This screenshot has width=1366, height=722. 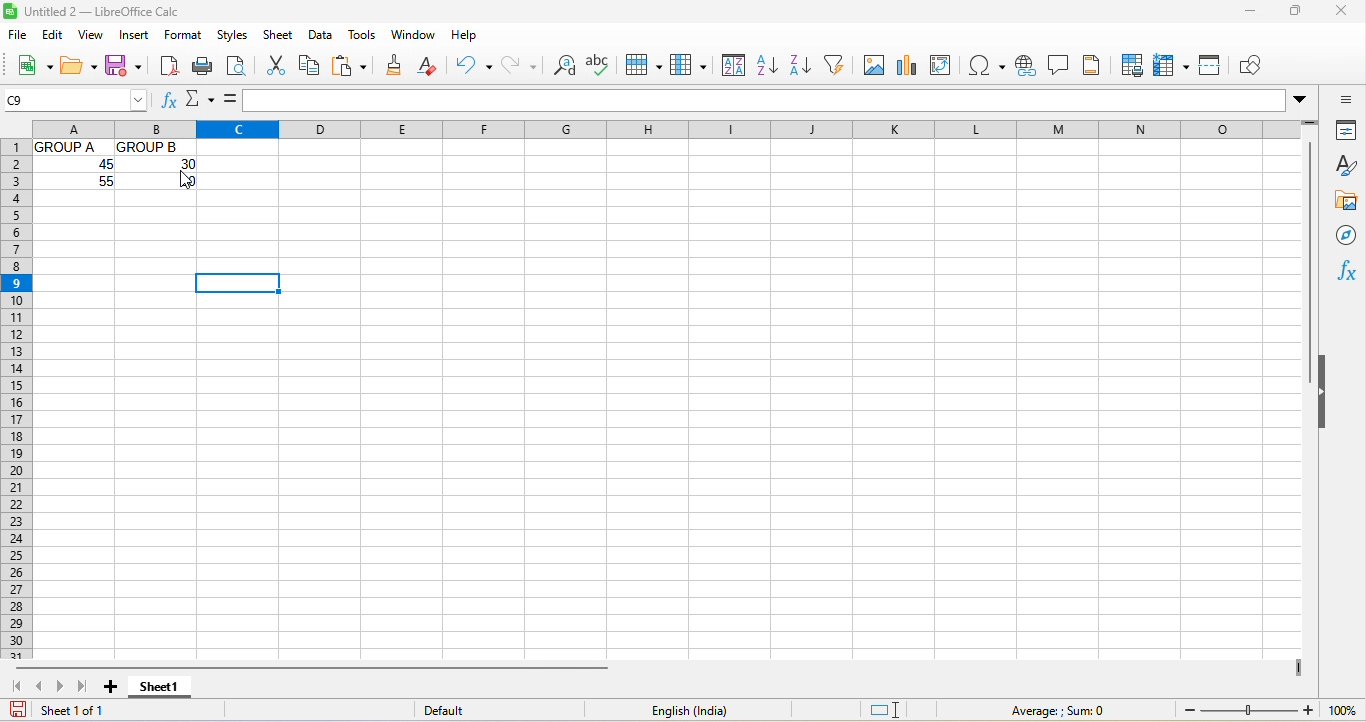 I want to click on average ; sum 0, so click(x=1044, y=711).